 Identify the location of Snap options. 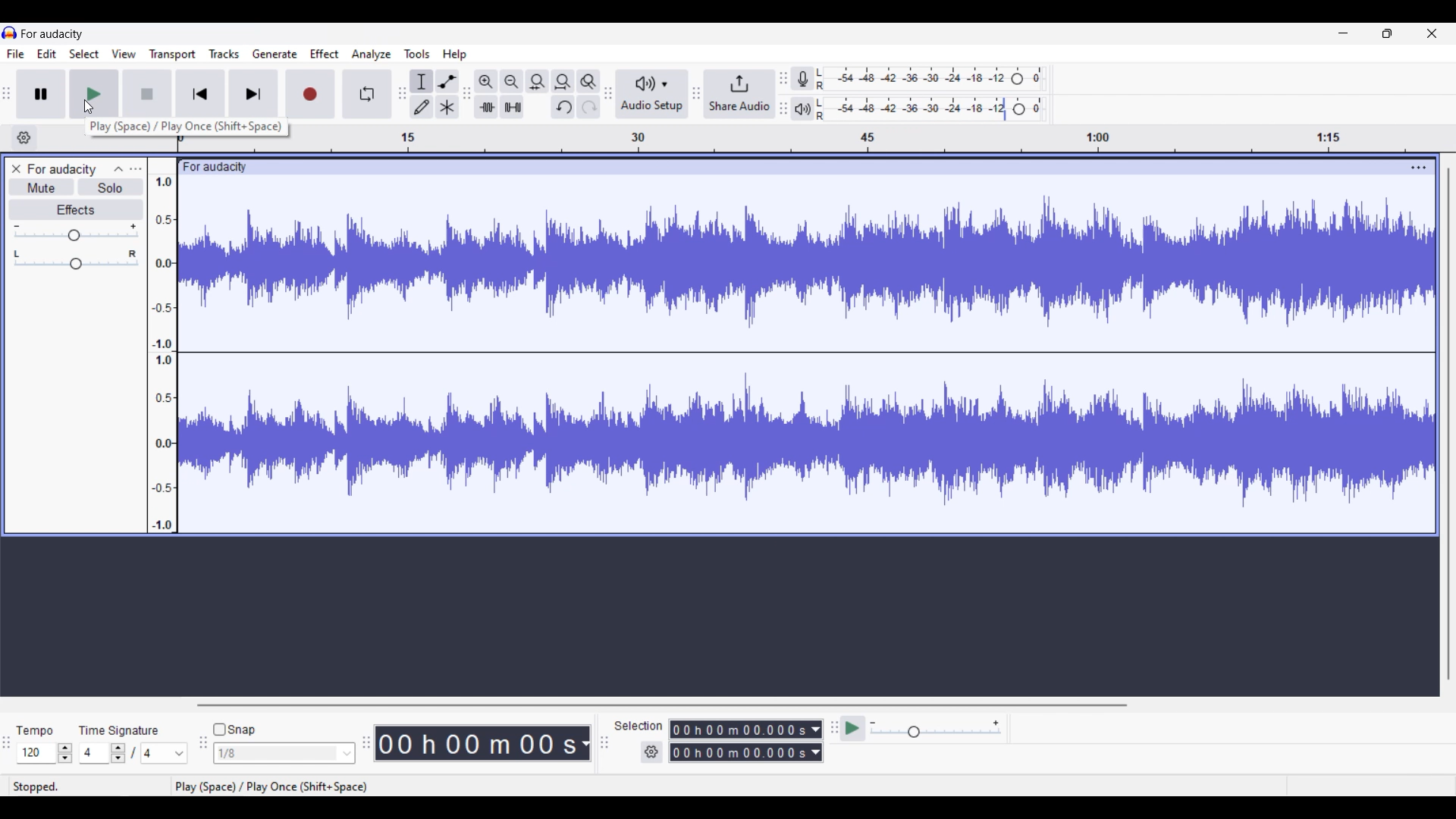
(285, 753).